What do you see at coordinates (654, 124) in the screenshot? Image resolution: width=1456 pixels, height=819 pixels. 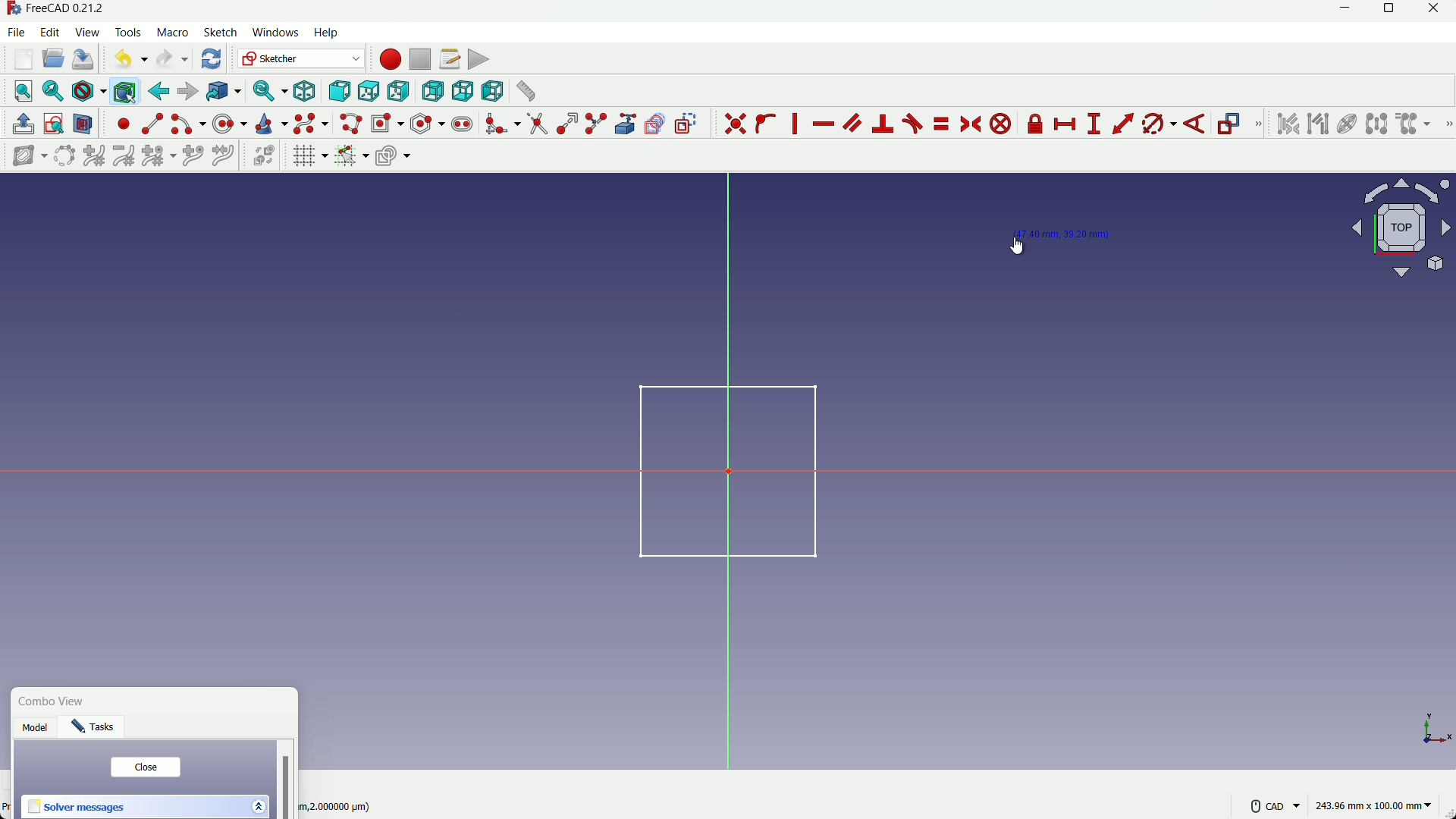 I see `create carbon copy` at bounding box center [654, 124].